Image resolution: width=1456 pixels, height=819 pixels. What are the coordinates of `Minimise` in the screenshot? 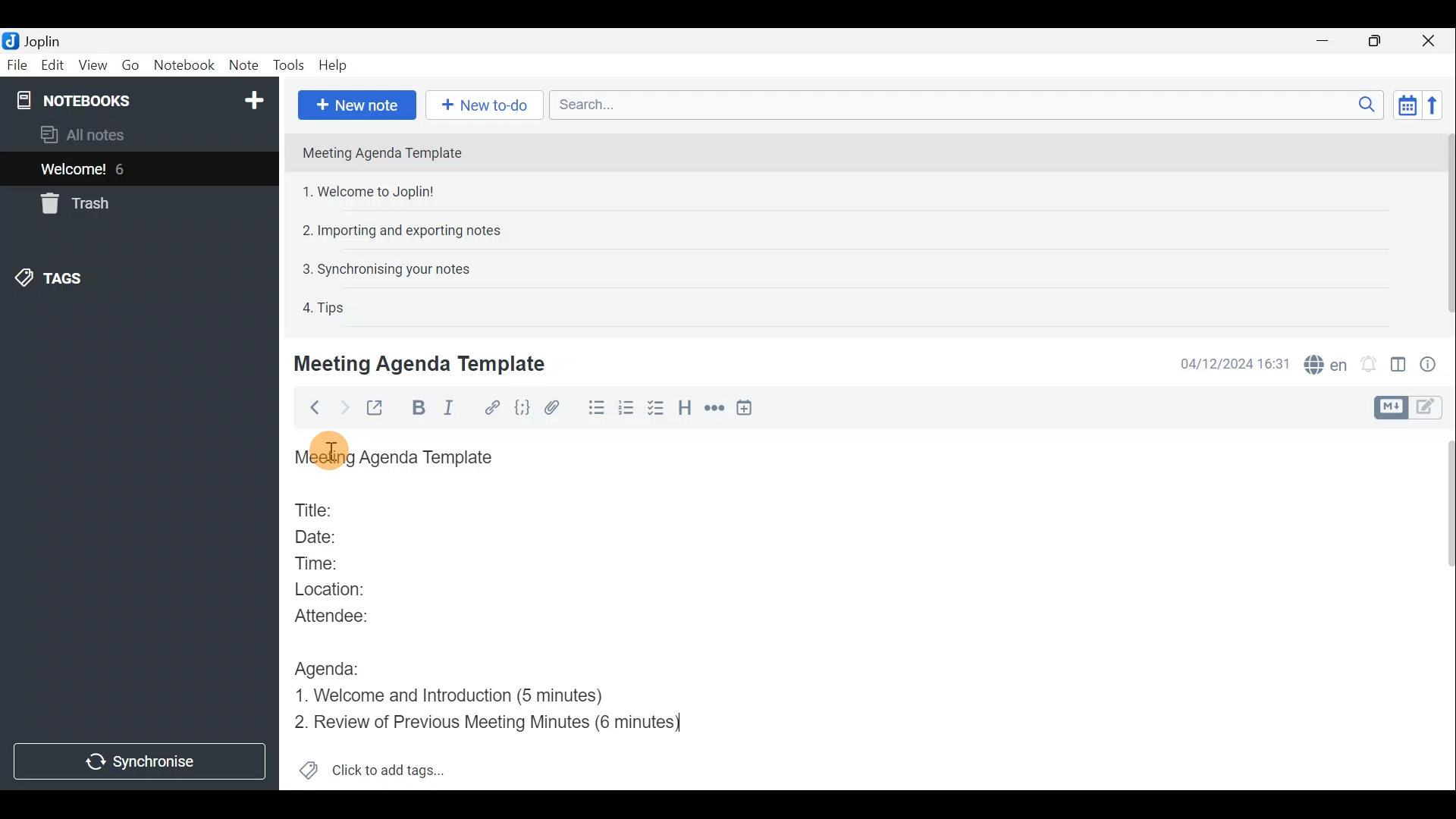 It's located at (1325, 40).